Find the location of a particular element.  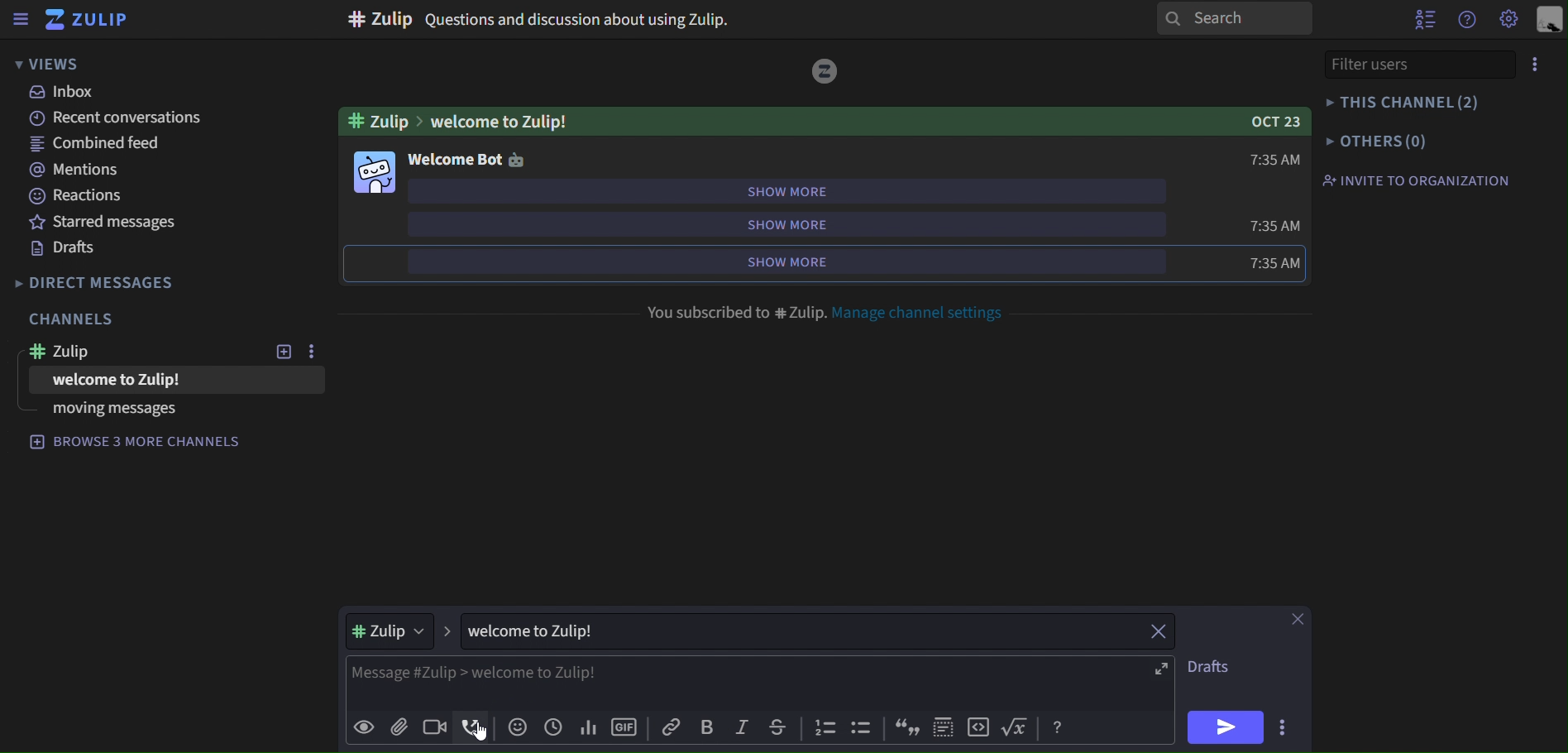

add gif is located at coordinates (624, 727).